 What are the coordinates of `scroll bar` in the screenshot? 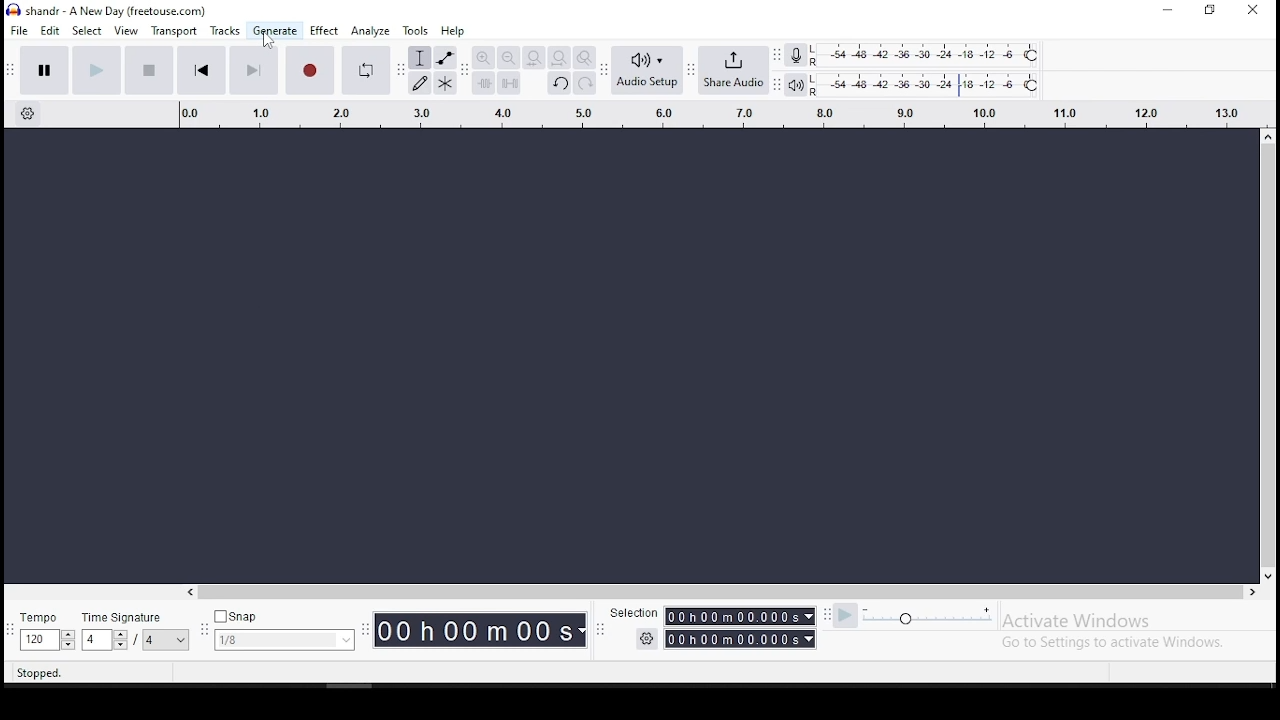 It's located at (724, 592).